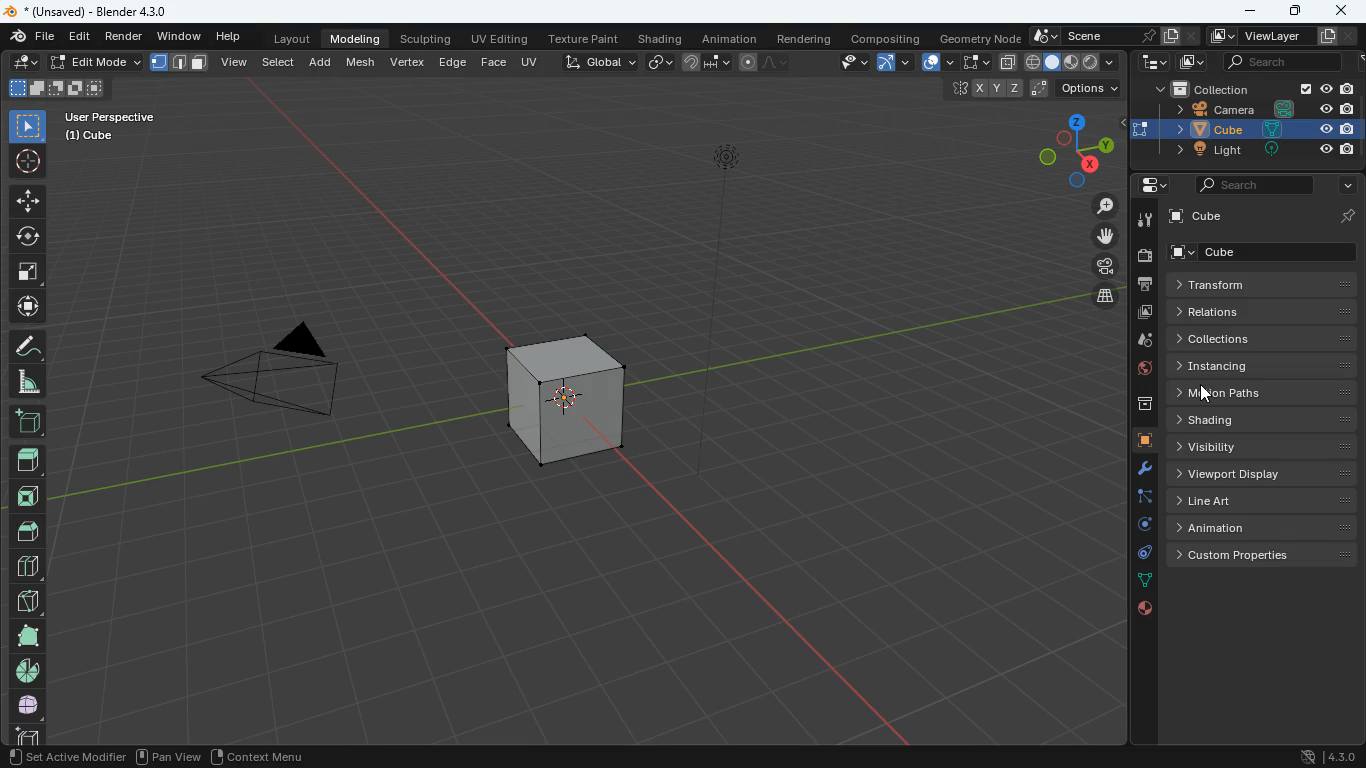  I want to click on angle, so click(31, 381).